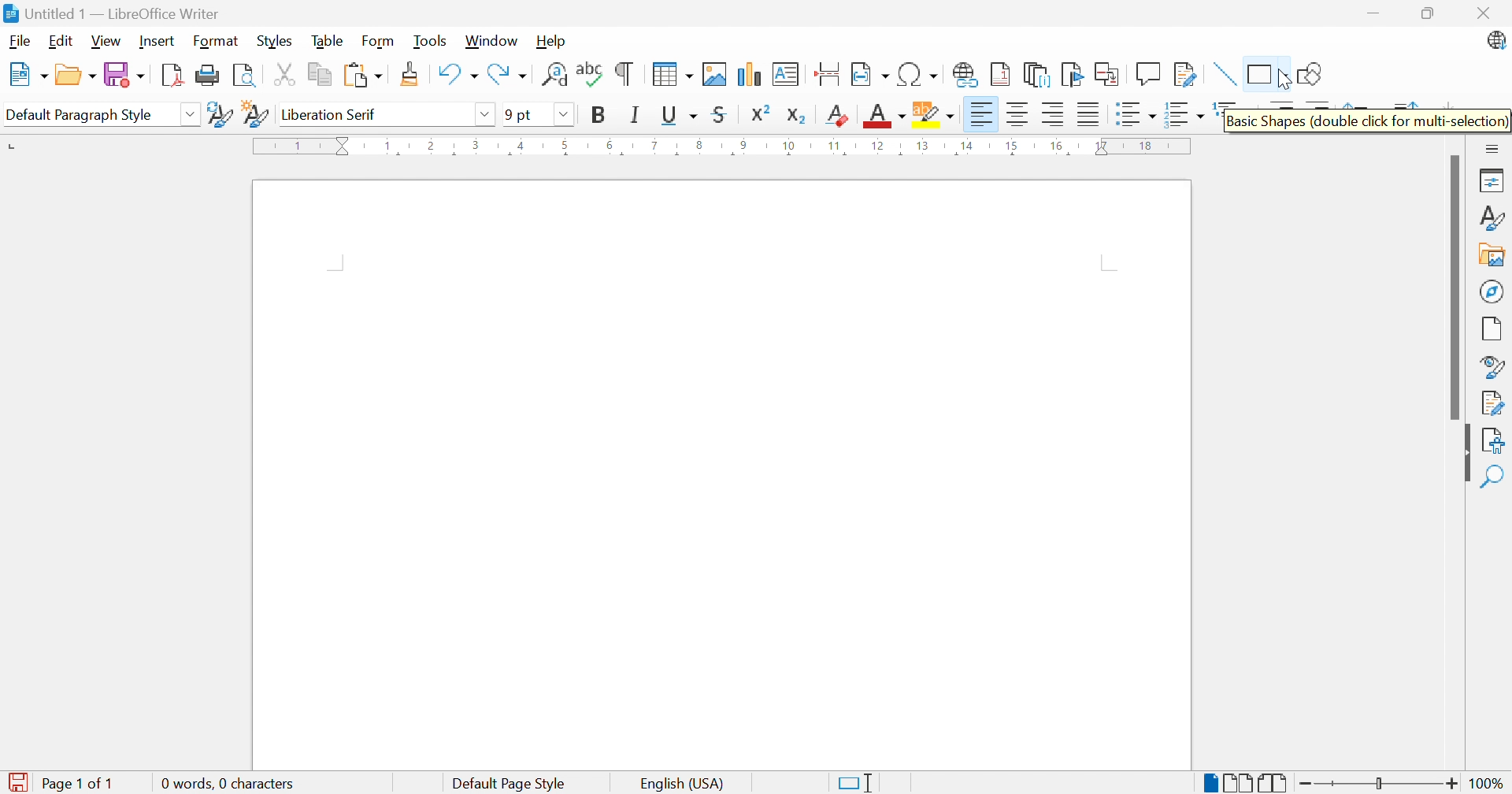  I want to click on Scroll bar, so click(1458, 288).